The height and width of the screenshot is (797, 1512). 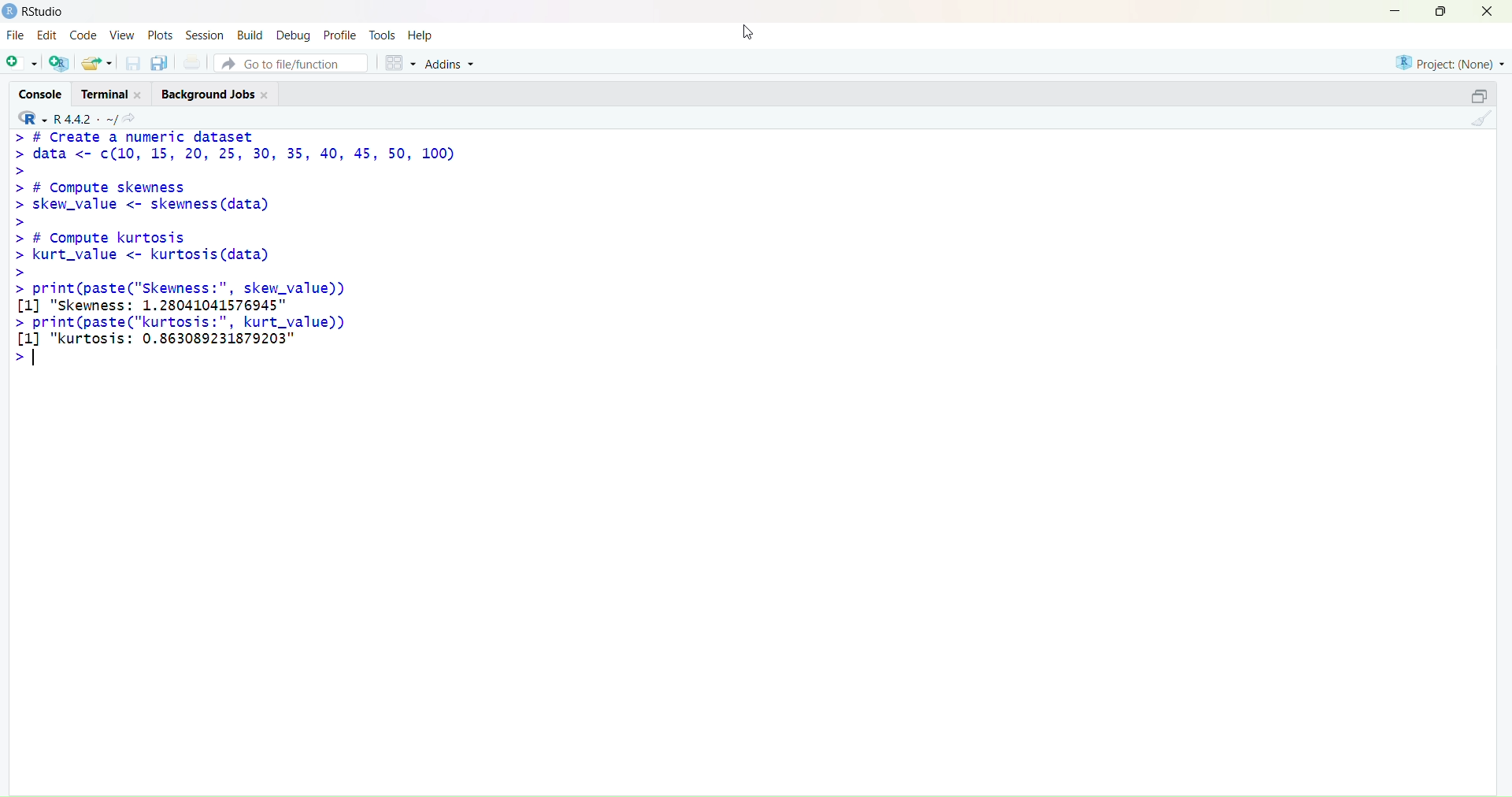 What do you see at coordinates (398, 61) in the screenshot?
I see `Workspace panes` at bounding box center [398, 61].